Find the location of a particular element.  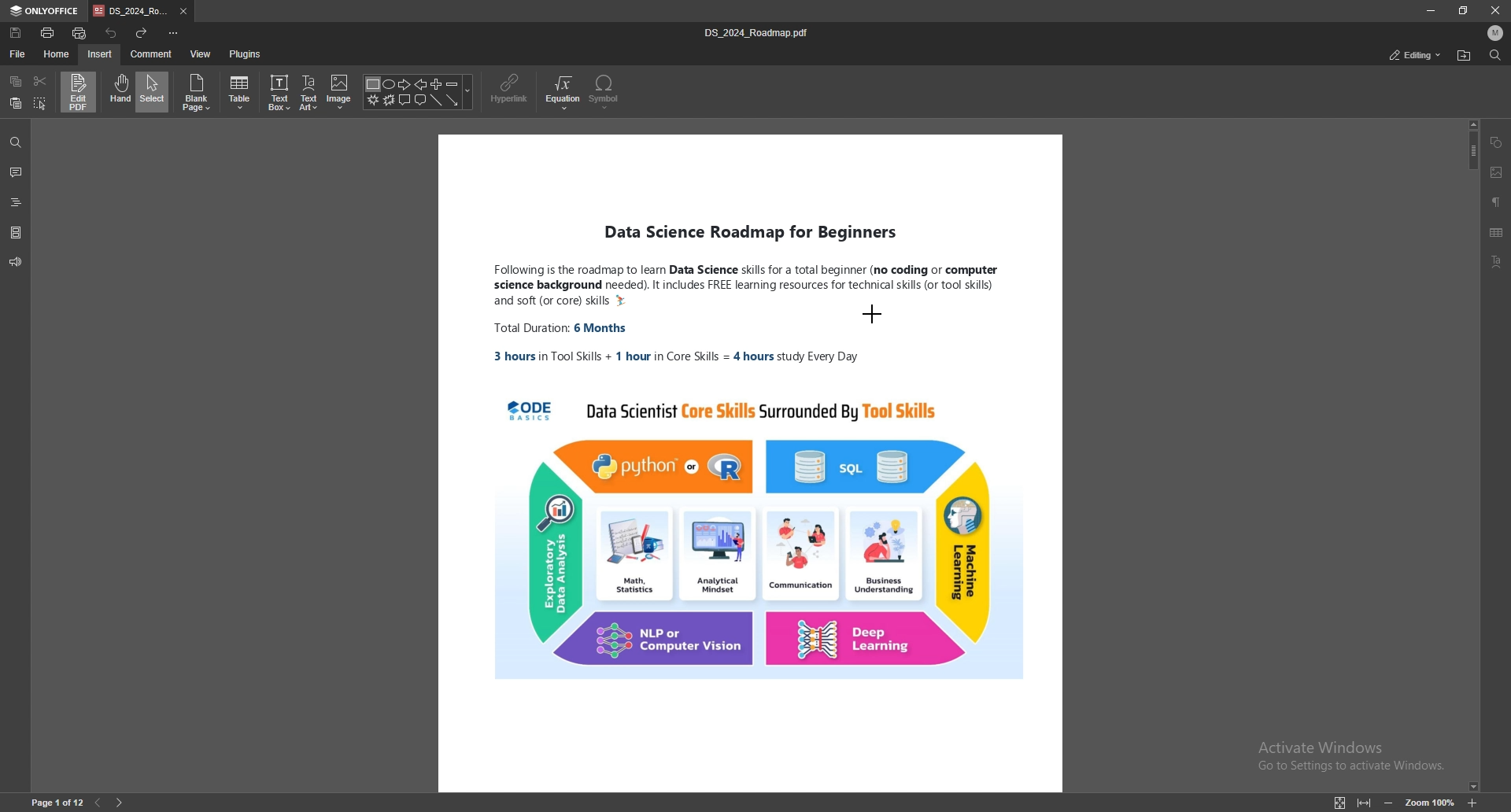

image is located at coordinates (339, 92).